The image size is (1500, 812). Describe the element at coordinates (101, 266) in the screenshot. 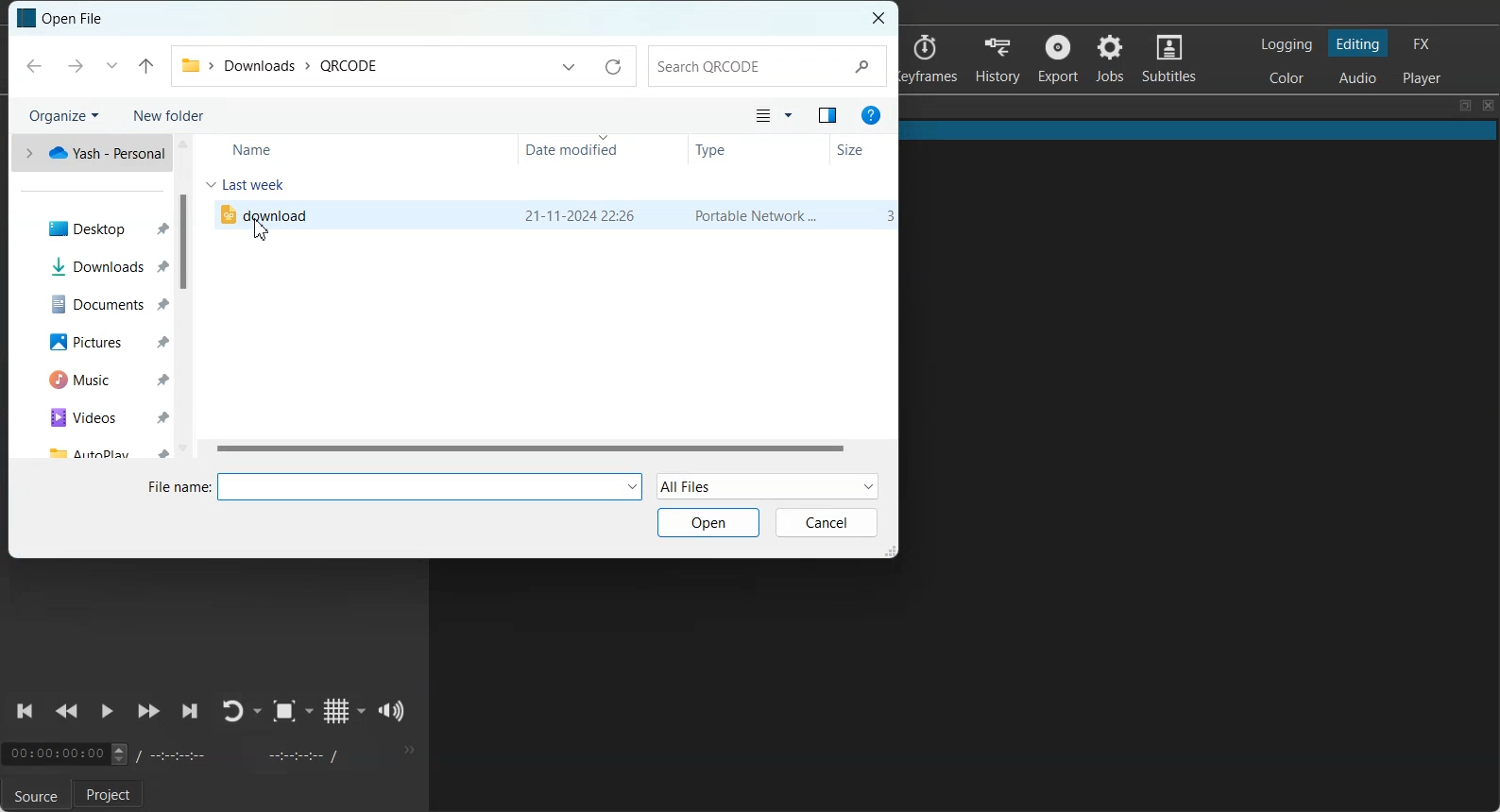

I see `Downloads` at that location.